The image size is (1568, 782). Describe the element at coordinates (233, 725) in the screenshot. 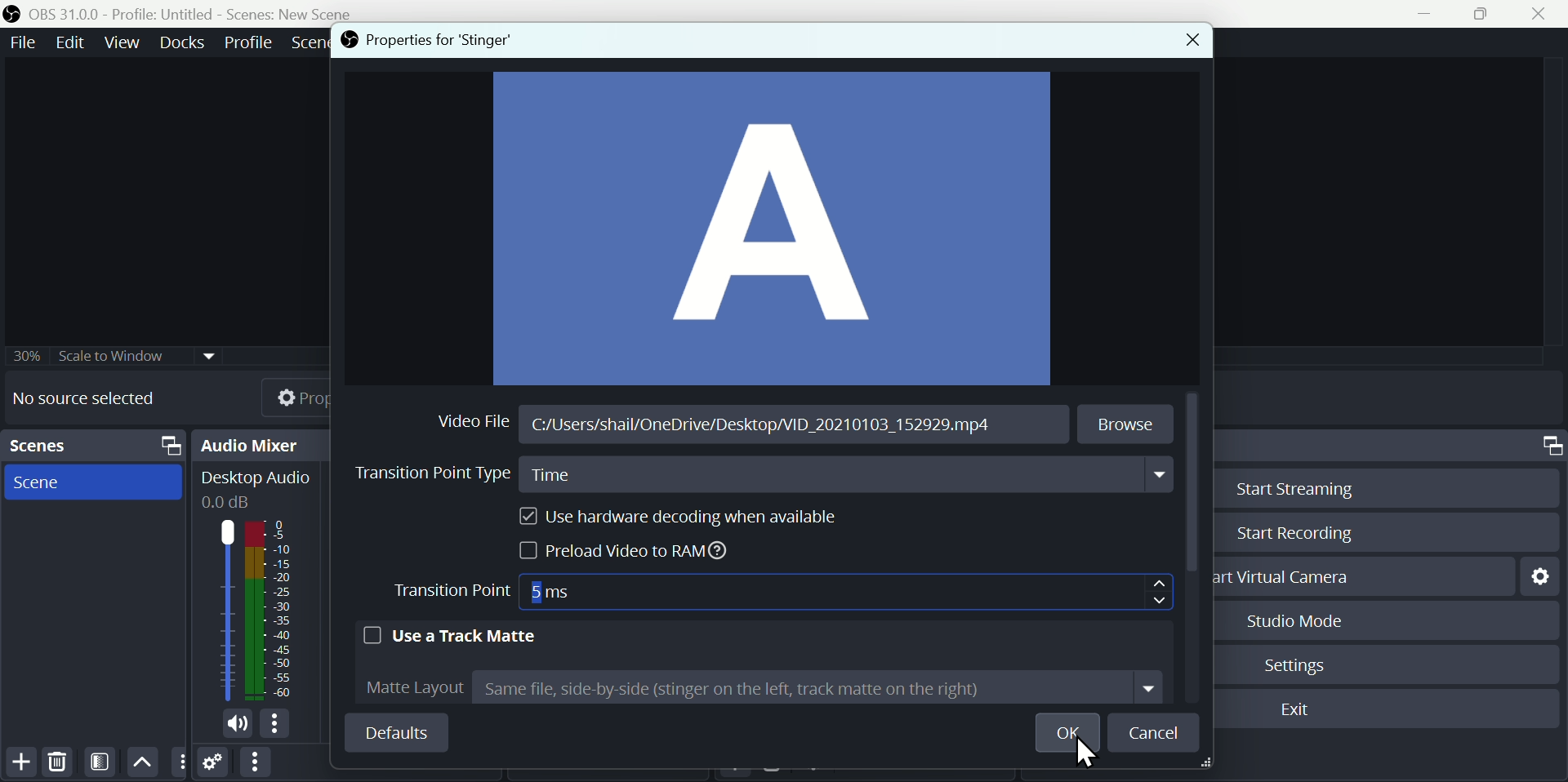

I see `volume` at that location.